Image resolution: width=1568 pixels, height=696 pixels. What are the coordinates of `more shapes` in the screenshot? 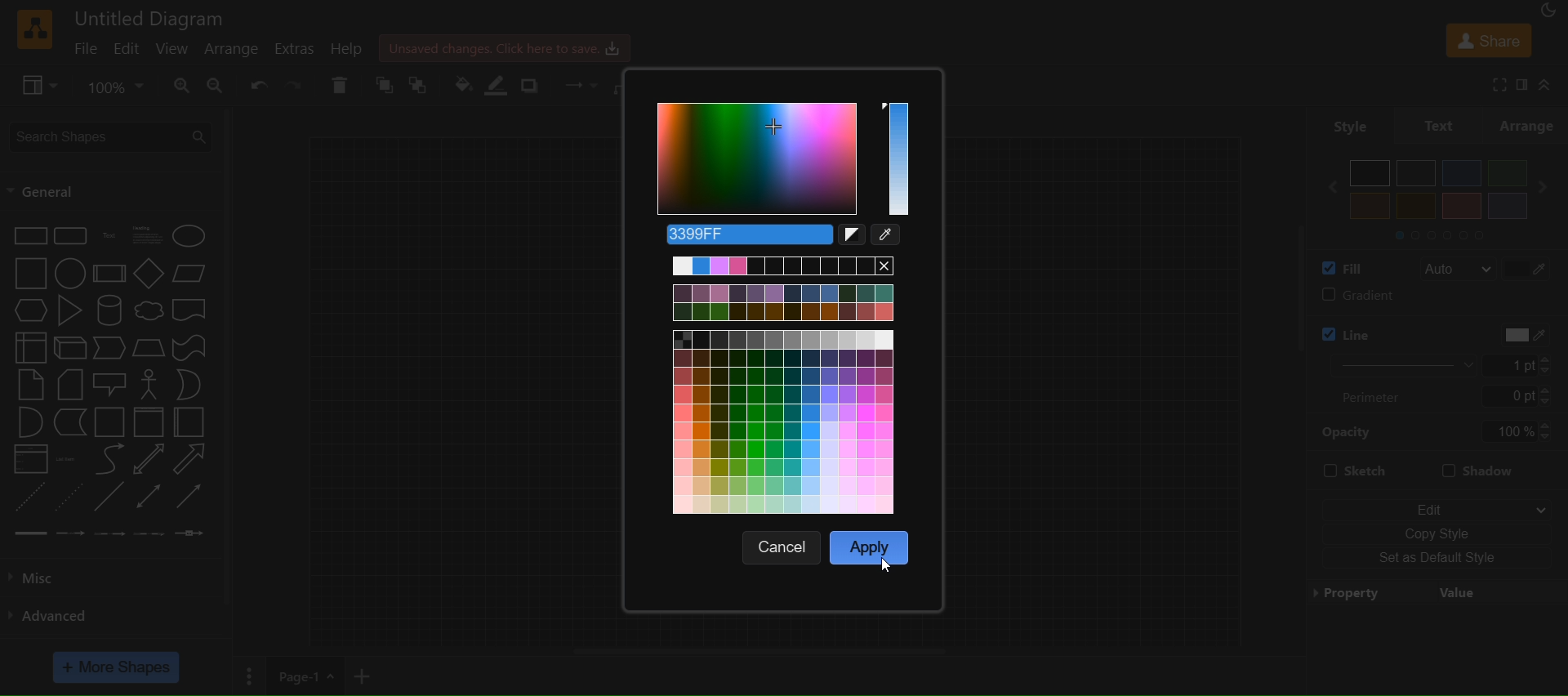 It's located at (118, 667).